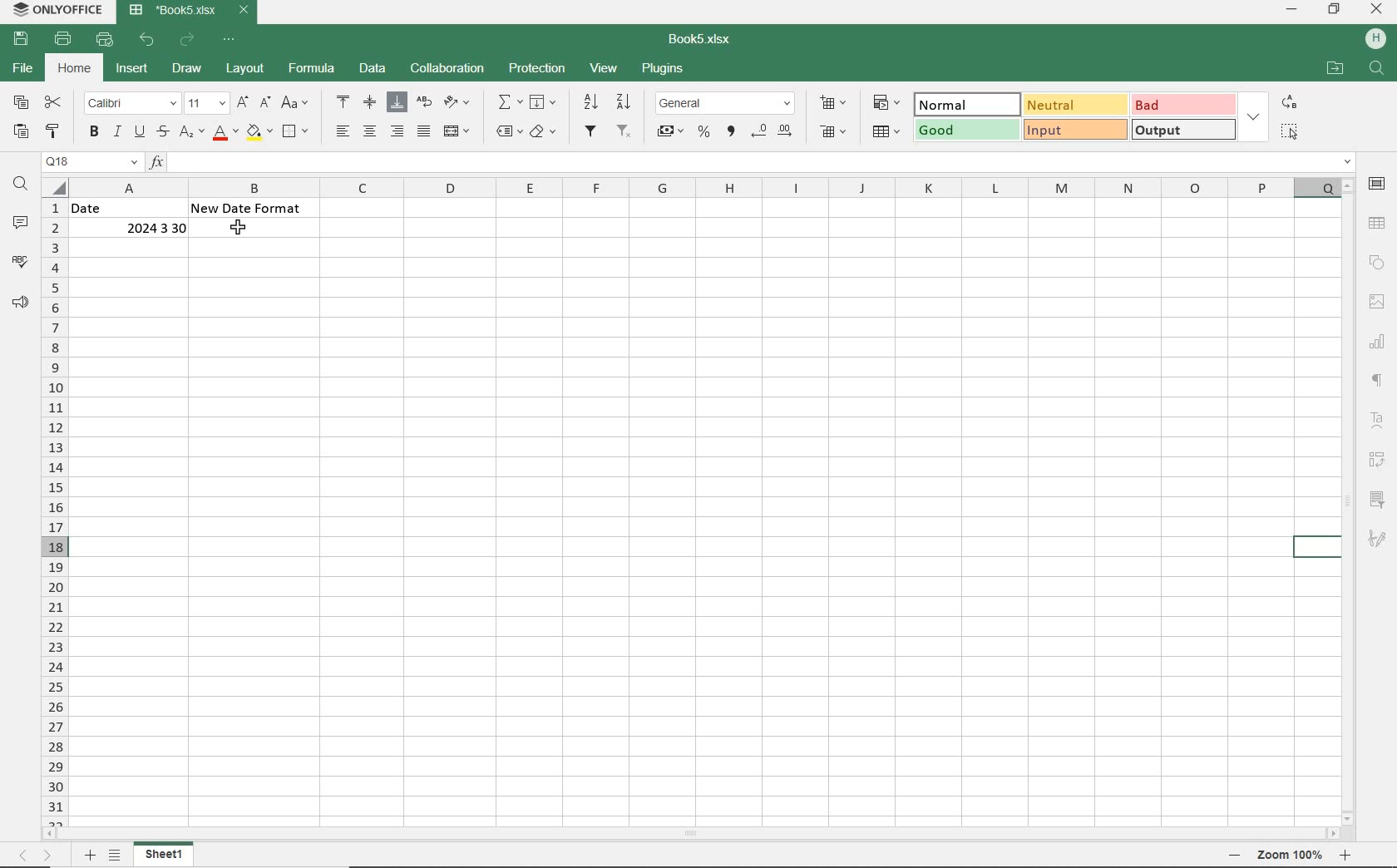 This screenshot has height=868, width=1397. What do you see at coordinates (1378, 184) in the screenshot?
I see `CELL SETTINGS` at bounding box center [1378, 184].